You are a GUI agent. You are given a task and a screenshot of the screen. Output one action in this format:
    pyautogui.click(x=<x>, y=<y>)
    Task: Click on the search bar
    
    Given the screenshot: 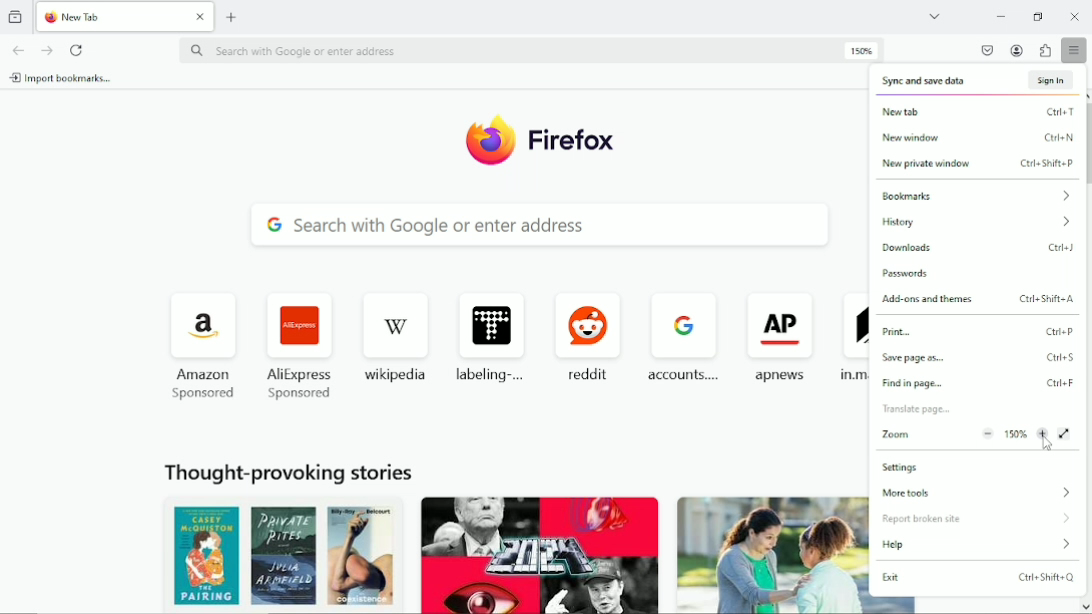 What is the action you would take?
    pyautogui.click(x=537, y=50)
    